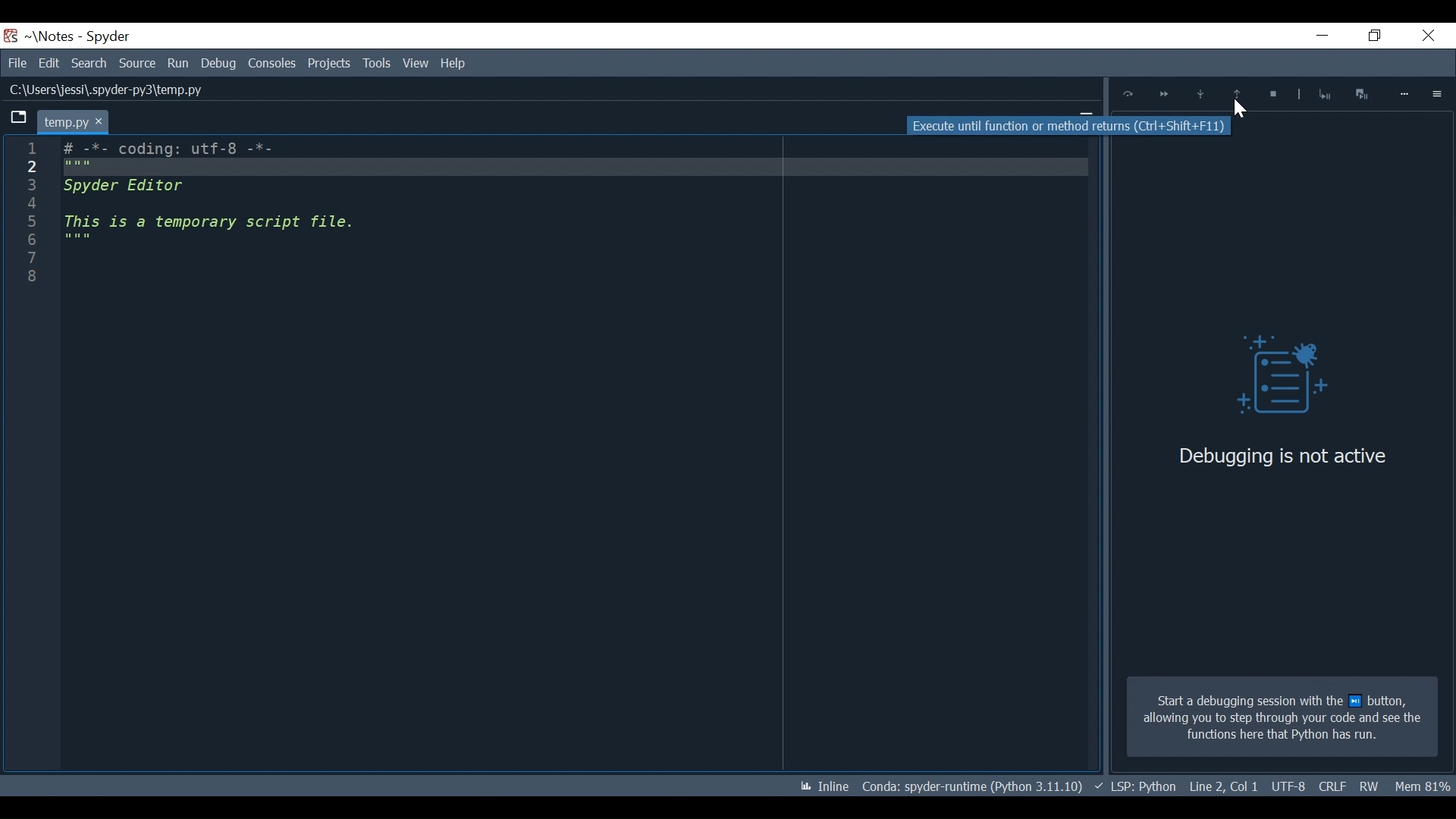  I want to click on Continue ExecutionUntil next breakpoint, so click(1163, 96).